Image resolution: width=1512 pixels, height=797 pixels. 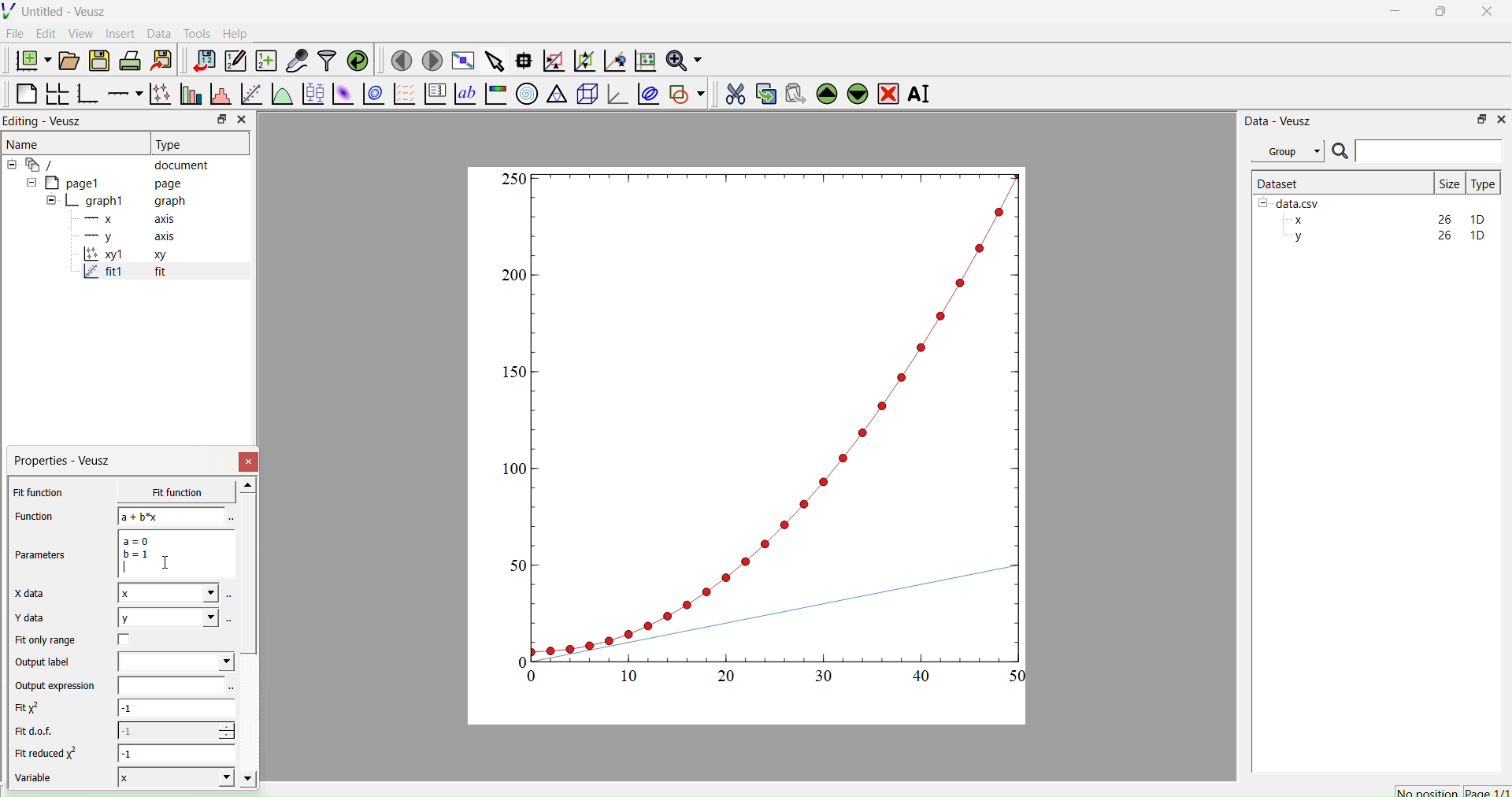 I want to click on Tools, so click(x=194, y=32).